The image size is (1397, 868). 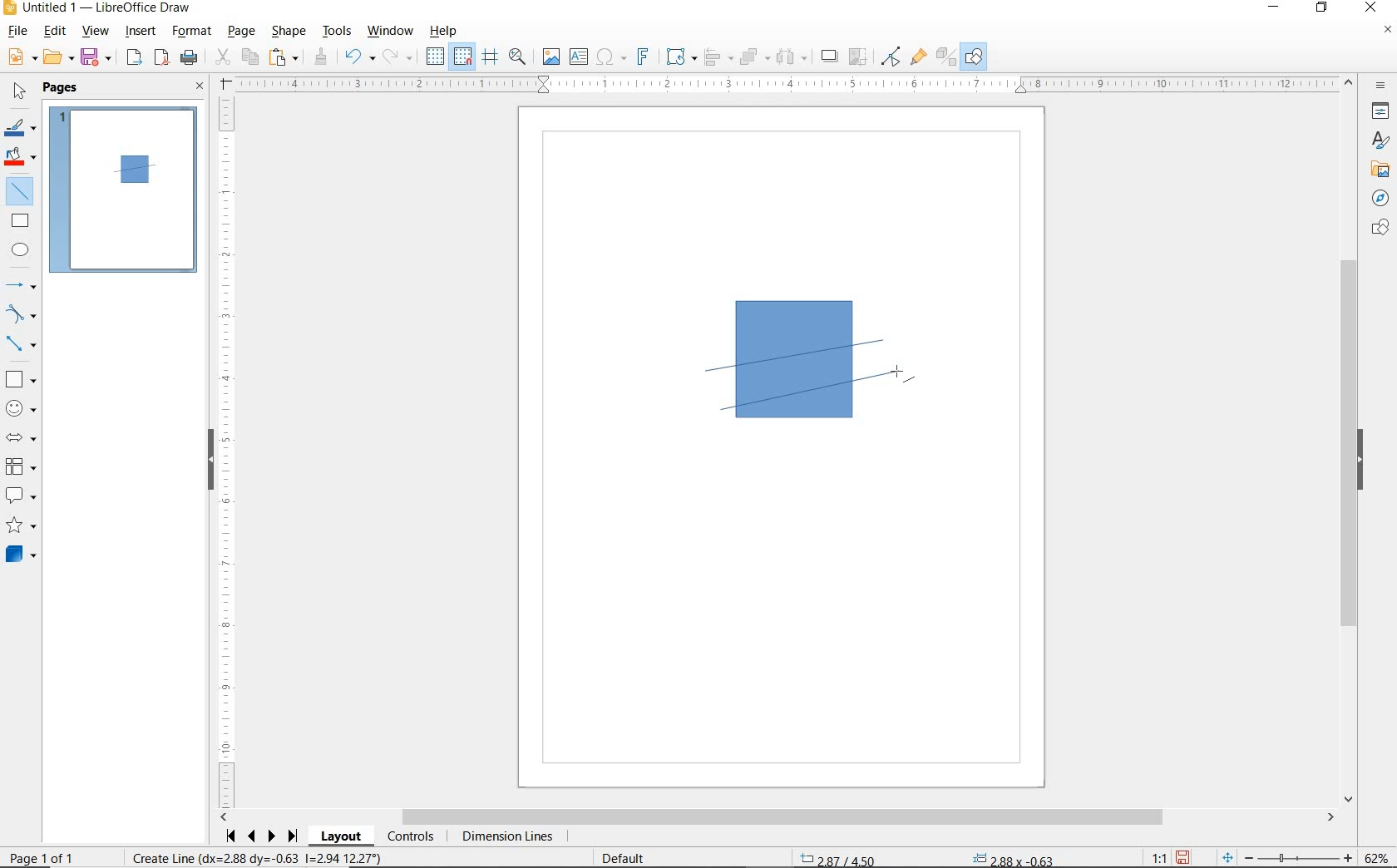 What do you see at coordinates (22, 285) in the screenshot?
I see `LINES AND ARROWS` at bounding box center [22, 285].